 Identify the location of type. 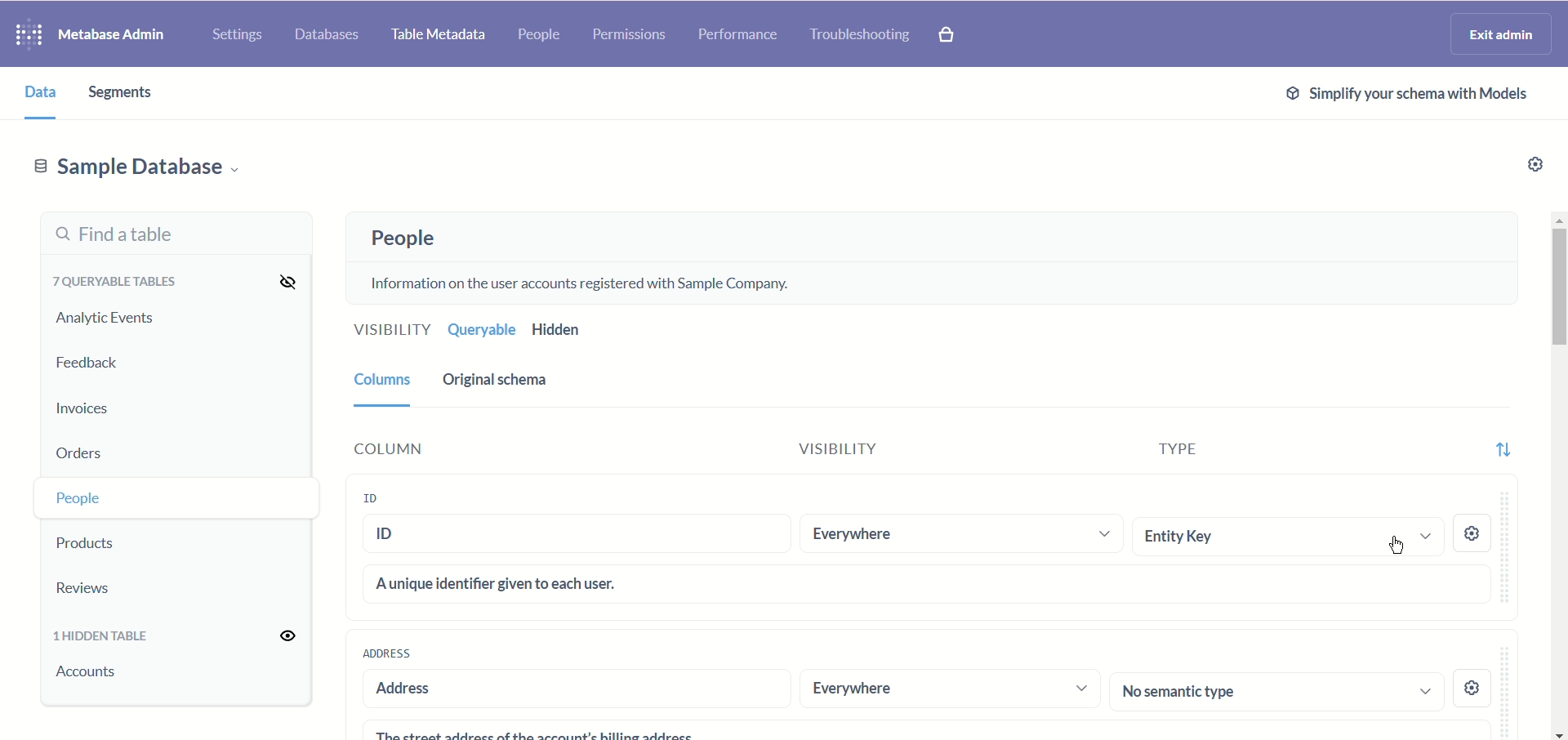
(1159, 454).